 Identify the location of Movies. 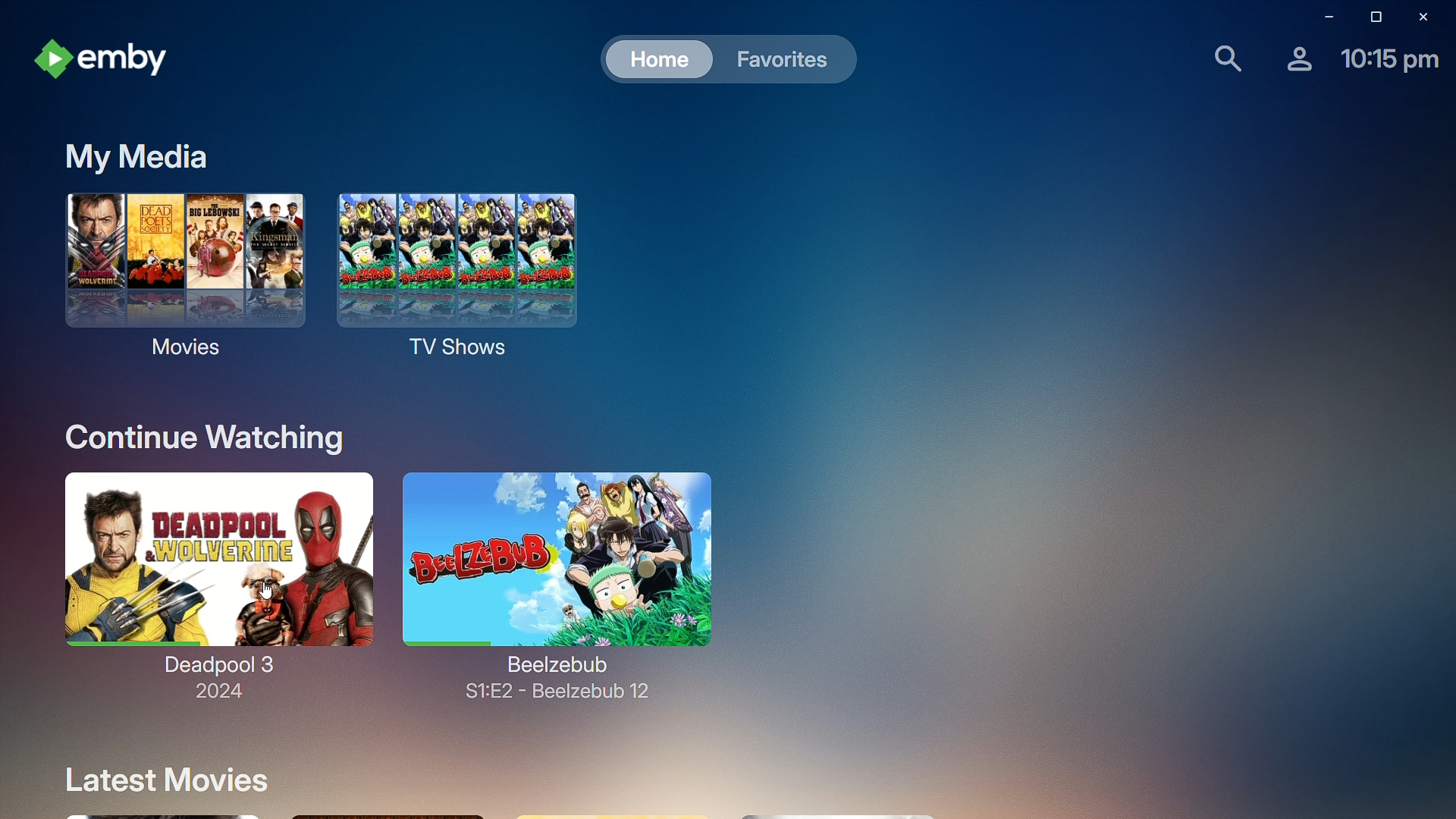
(173, 271).